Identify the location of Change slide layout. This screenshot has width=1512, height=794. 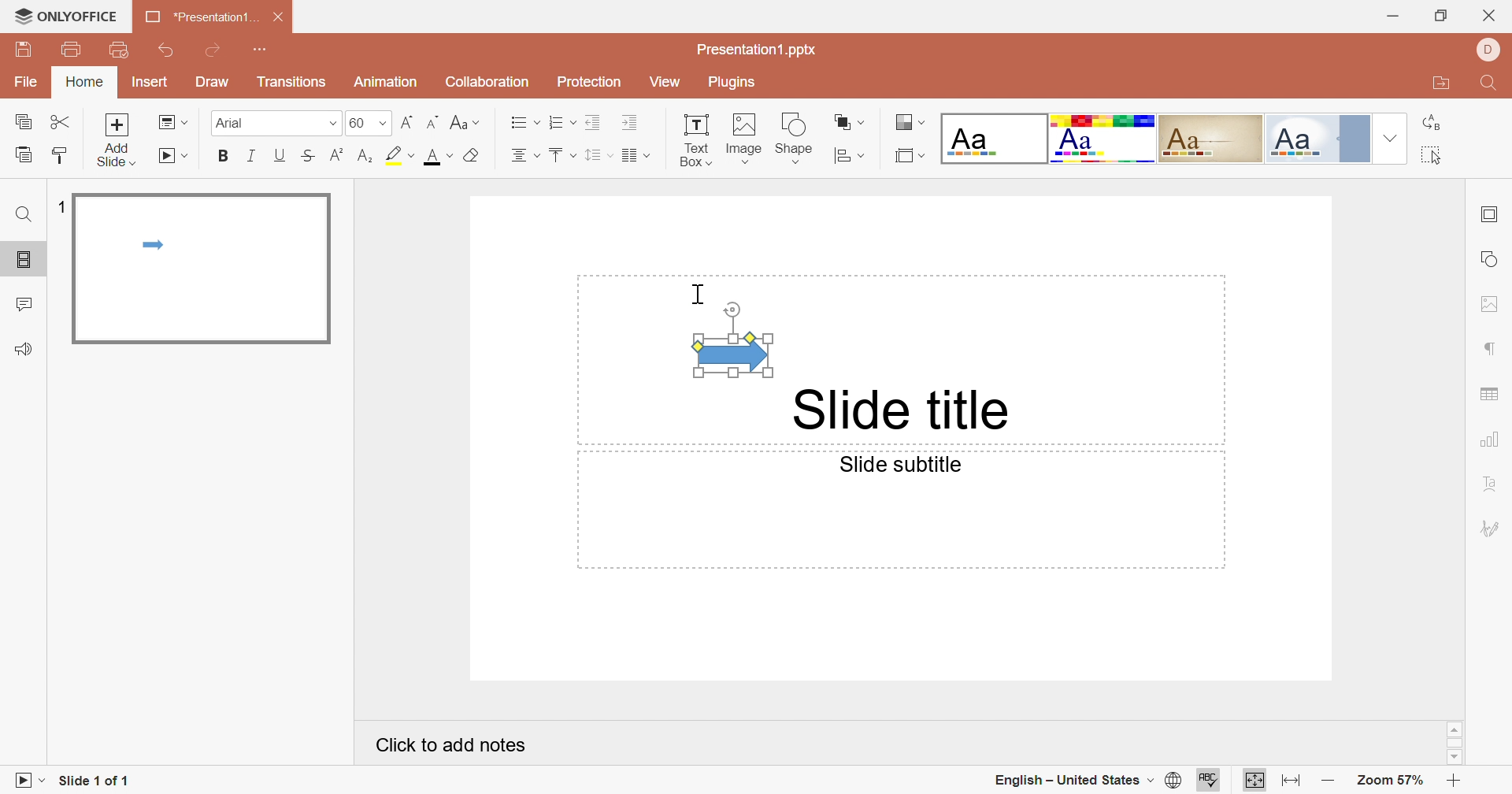
(174, 123).